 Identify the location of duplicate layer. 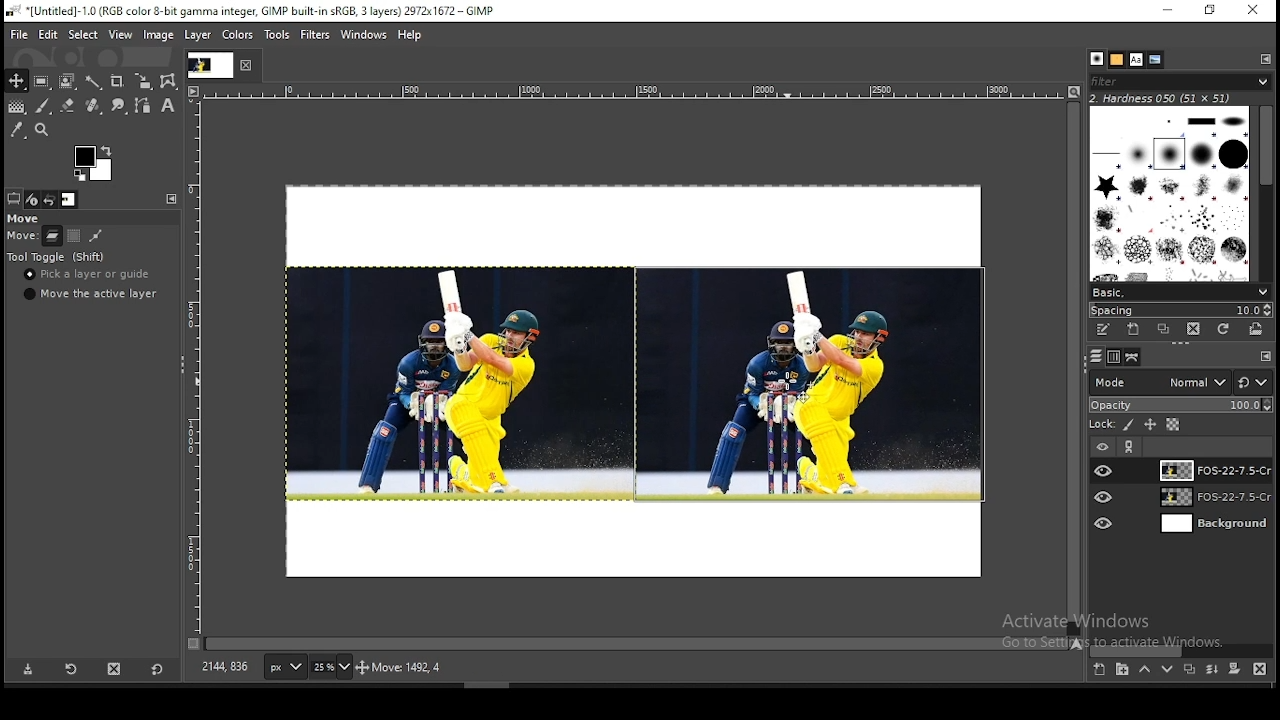
(1186, 672).